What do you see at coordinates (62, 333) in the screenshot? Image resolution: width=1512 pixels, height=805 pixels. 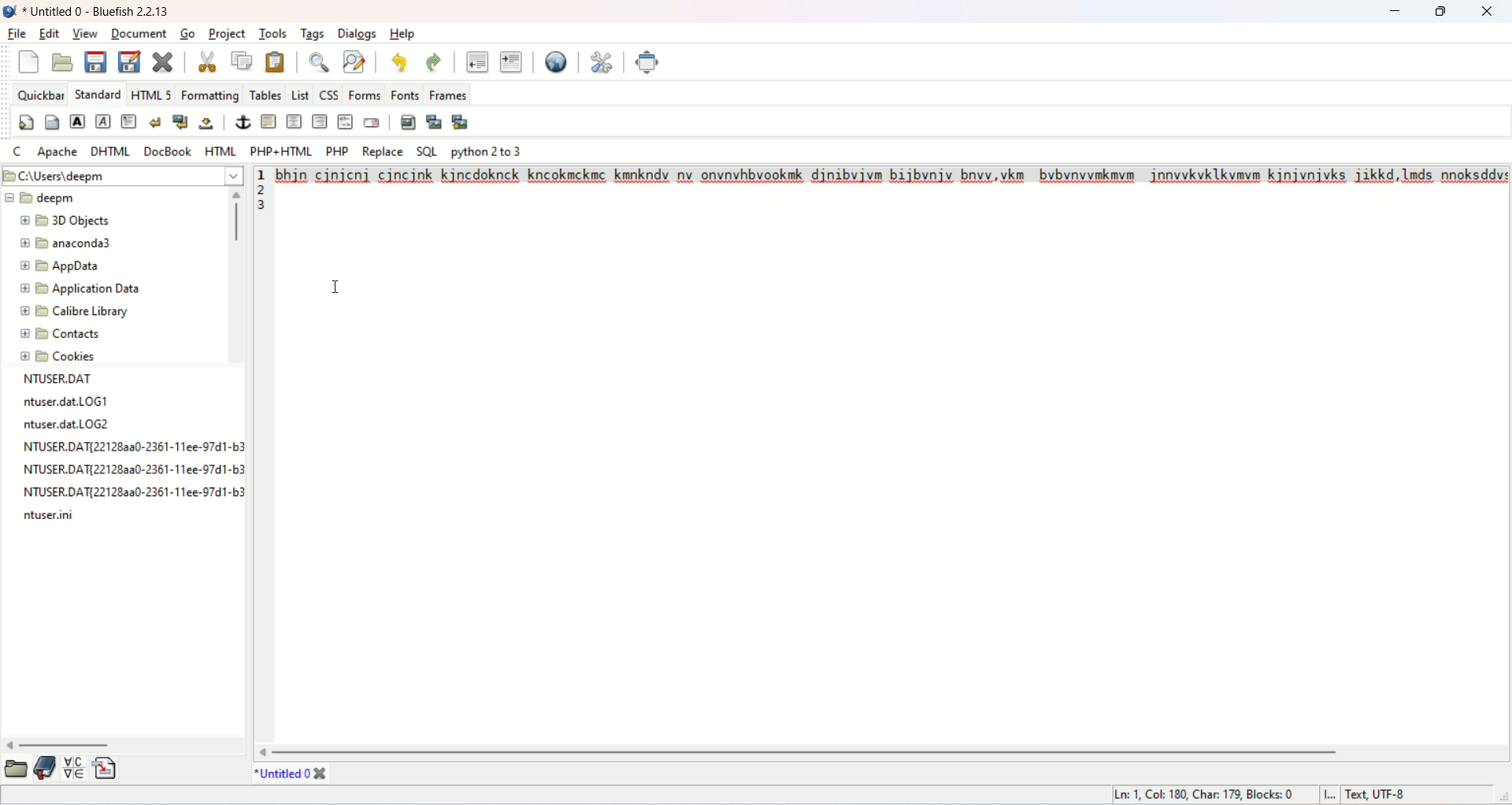 I see `contacts` at bounding box center [62, 333].